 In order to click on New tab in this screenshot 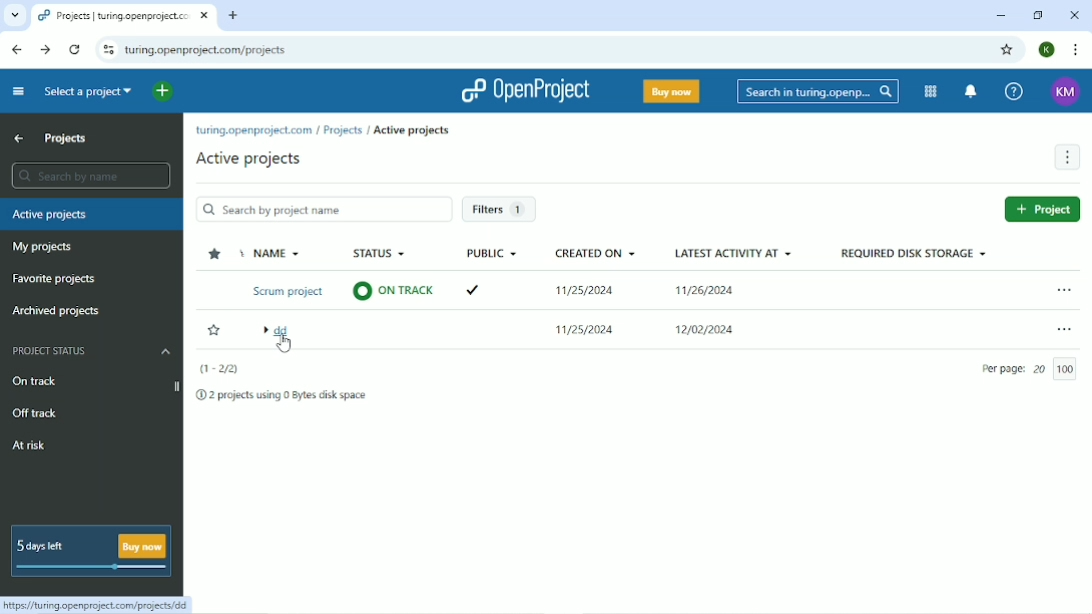, I will do `click(231, 16)`.